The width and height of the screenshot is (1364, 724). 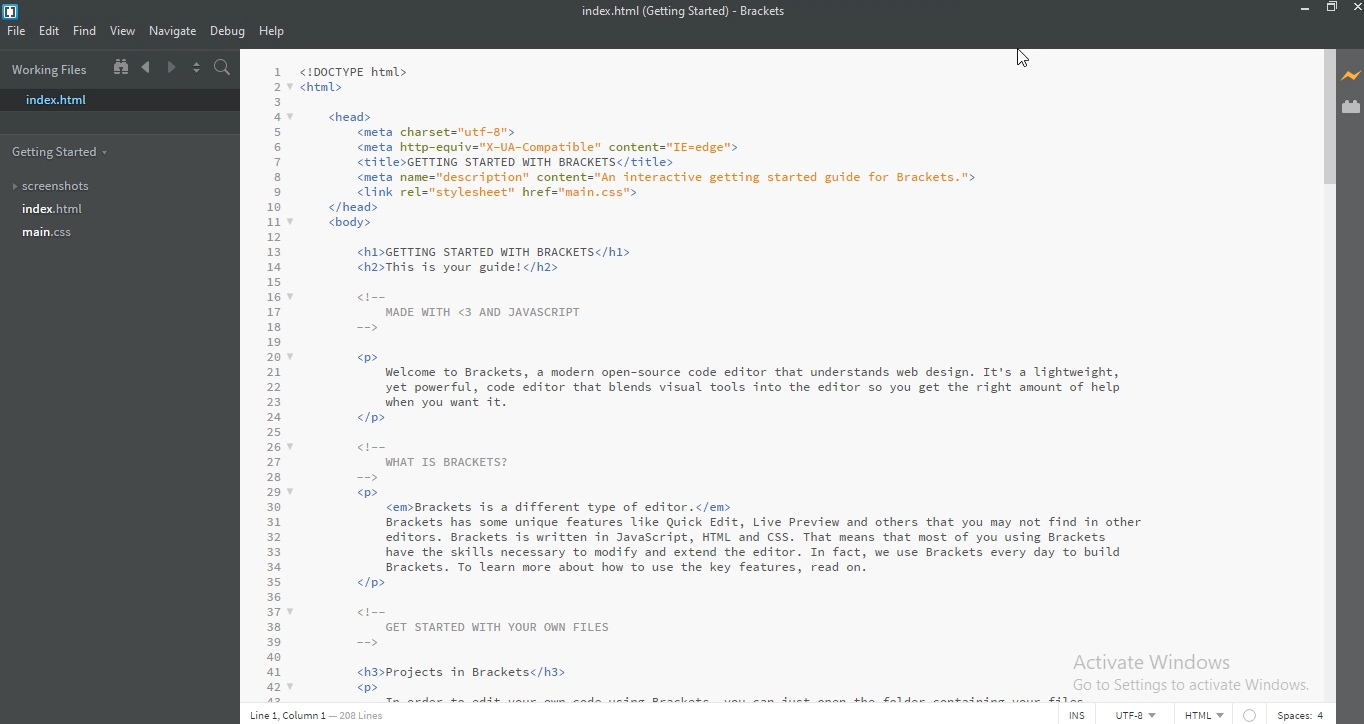 What do you see at coordinates (54, 209) in the screenshot?
I see `index.html` at bounding box center [54, 209].